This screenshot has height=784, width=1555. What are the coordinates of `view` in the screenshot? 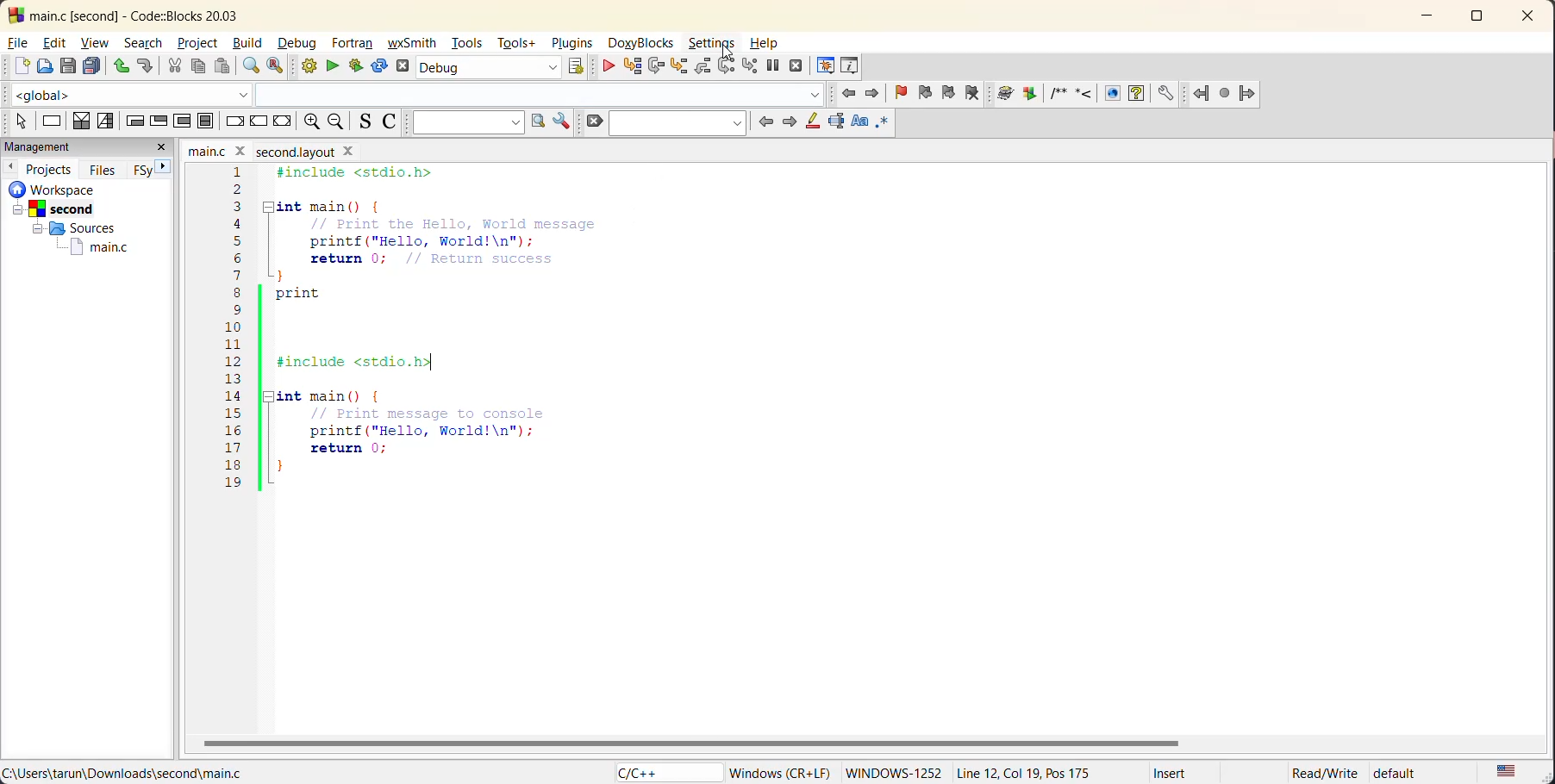 It's located at (97, 42).